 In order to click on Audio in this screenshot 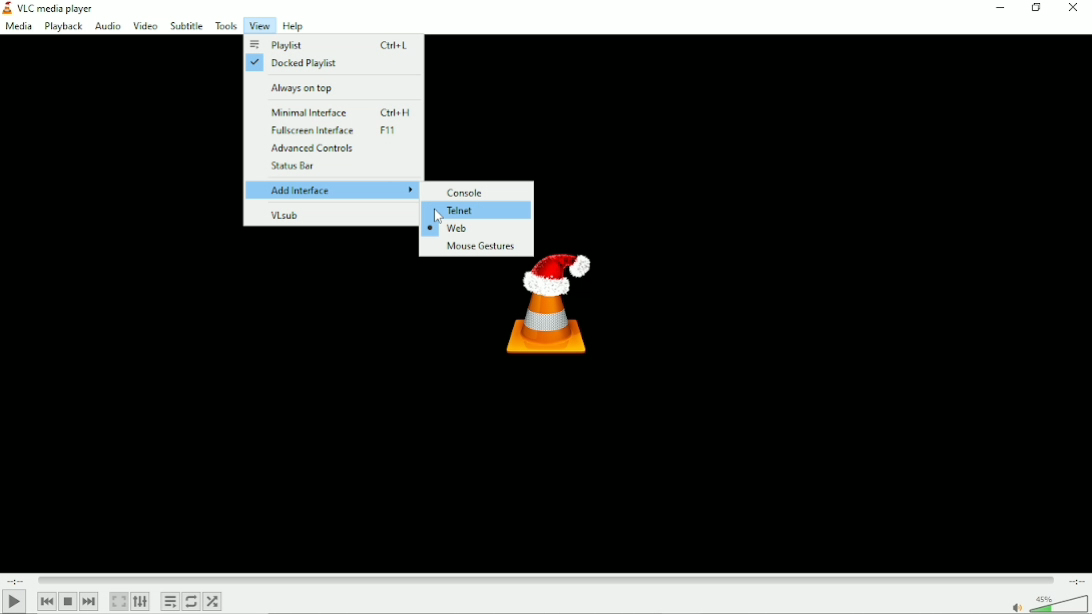, I will do `click(106, 27)`.